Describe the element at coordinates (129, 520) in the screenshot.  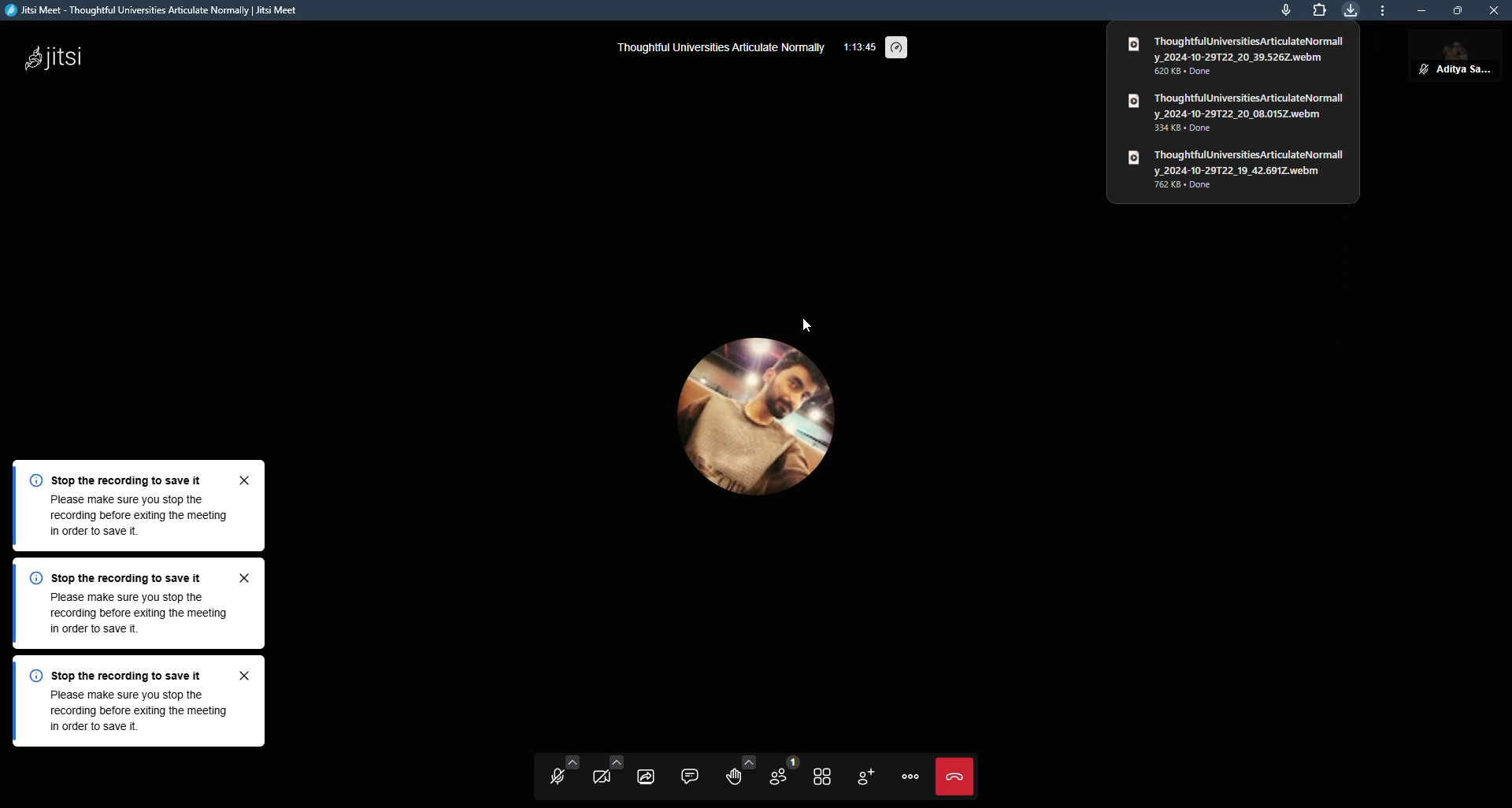
I see `Please make sure you stop the
recording before exiting the meeting
in order to save it` at that location.